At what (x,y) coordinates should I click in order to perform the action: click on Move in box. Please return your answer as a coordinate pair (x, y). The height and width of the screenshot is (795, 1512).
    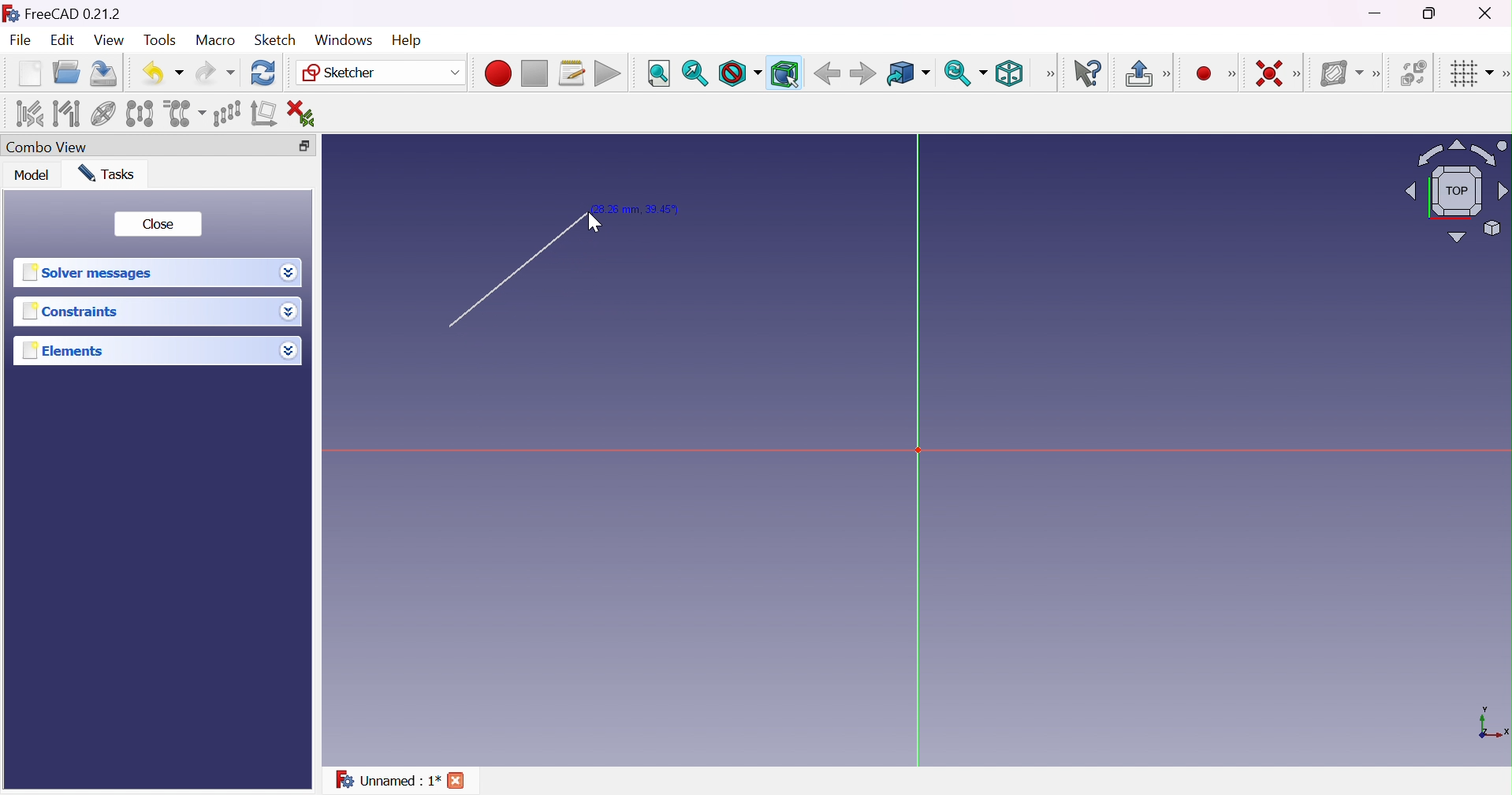
    Looking at the image, I should click on (907, 74).